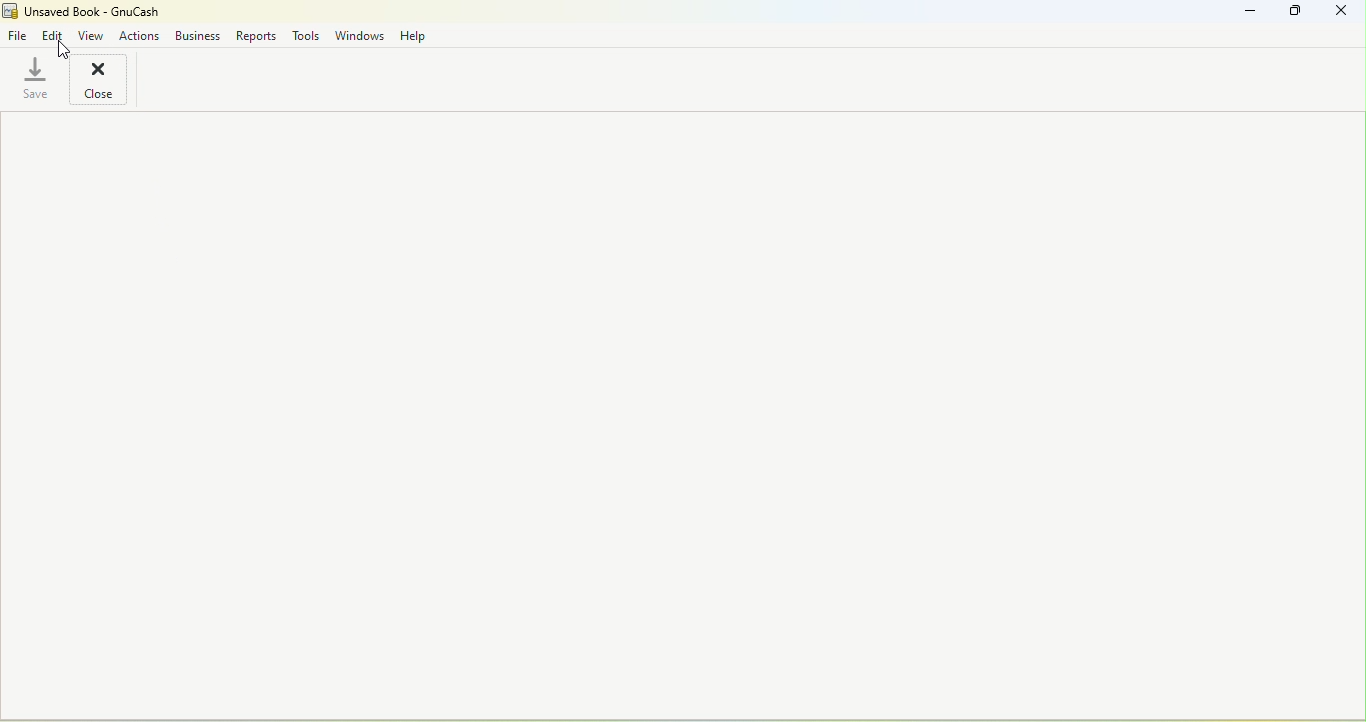 The image size is (1366, 722). Describe the element at coordinates (255, 35) in the screenshot. I see `Reports` at that location.